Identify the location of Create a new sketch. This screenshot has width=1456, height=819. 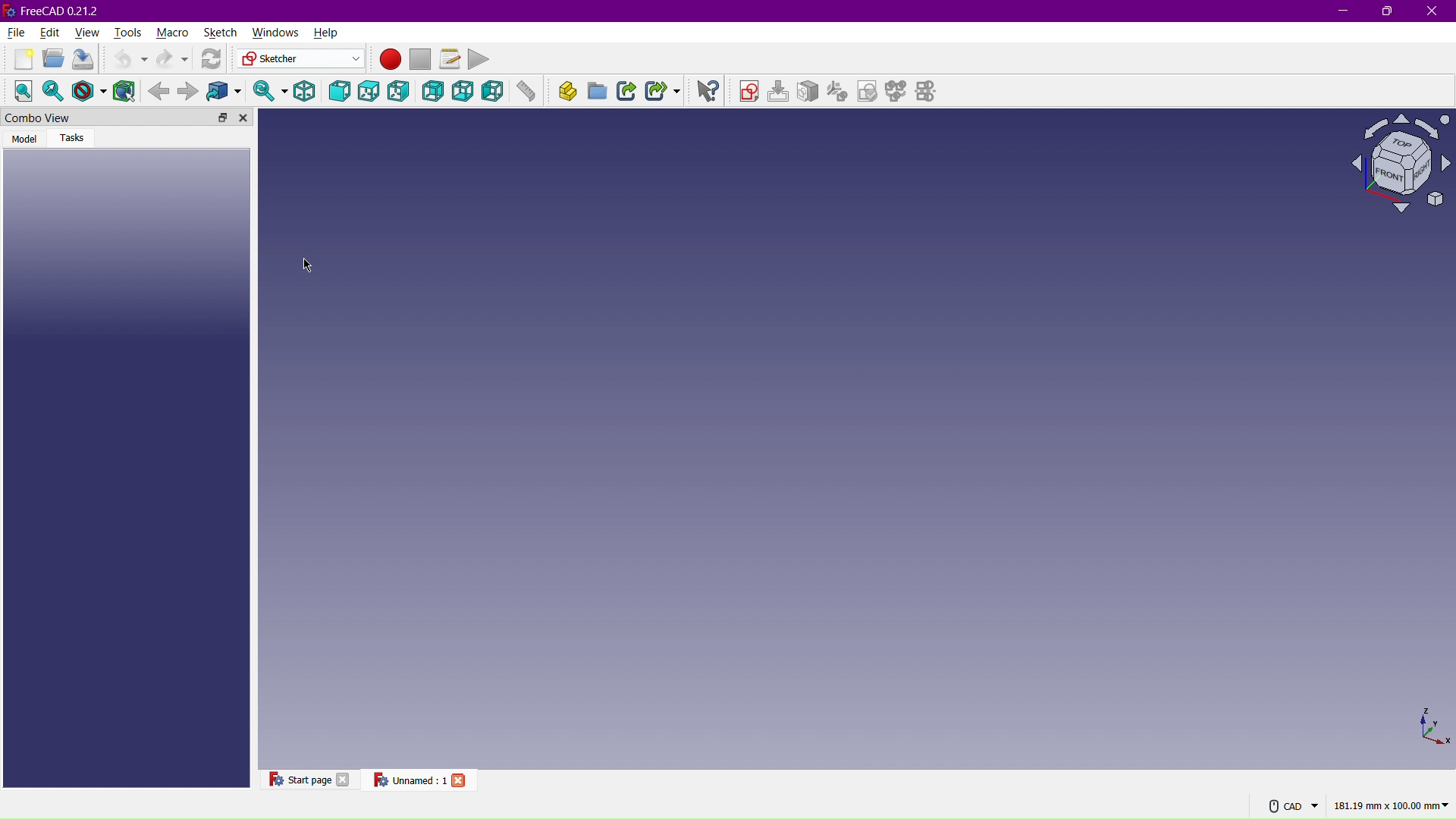
(750, 91).